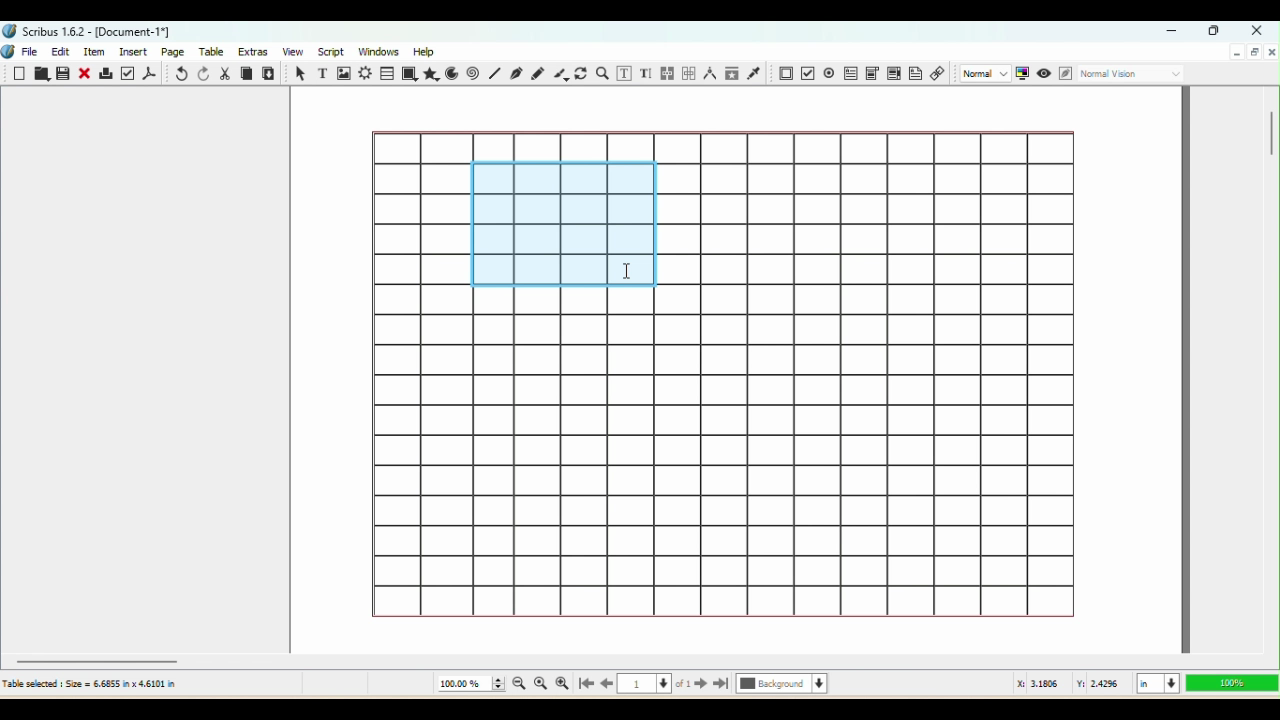 The image size is (1280, 720). Describe the element at coordinates (708, 74) in the screenshot. I see `Measurements` at that location.